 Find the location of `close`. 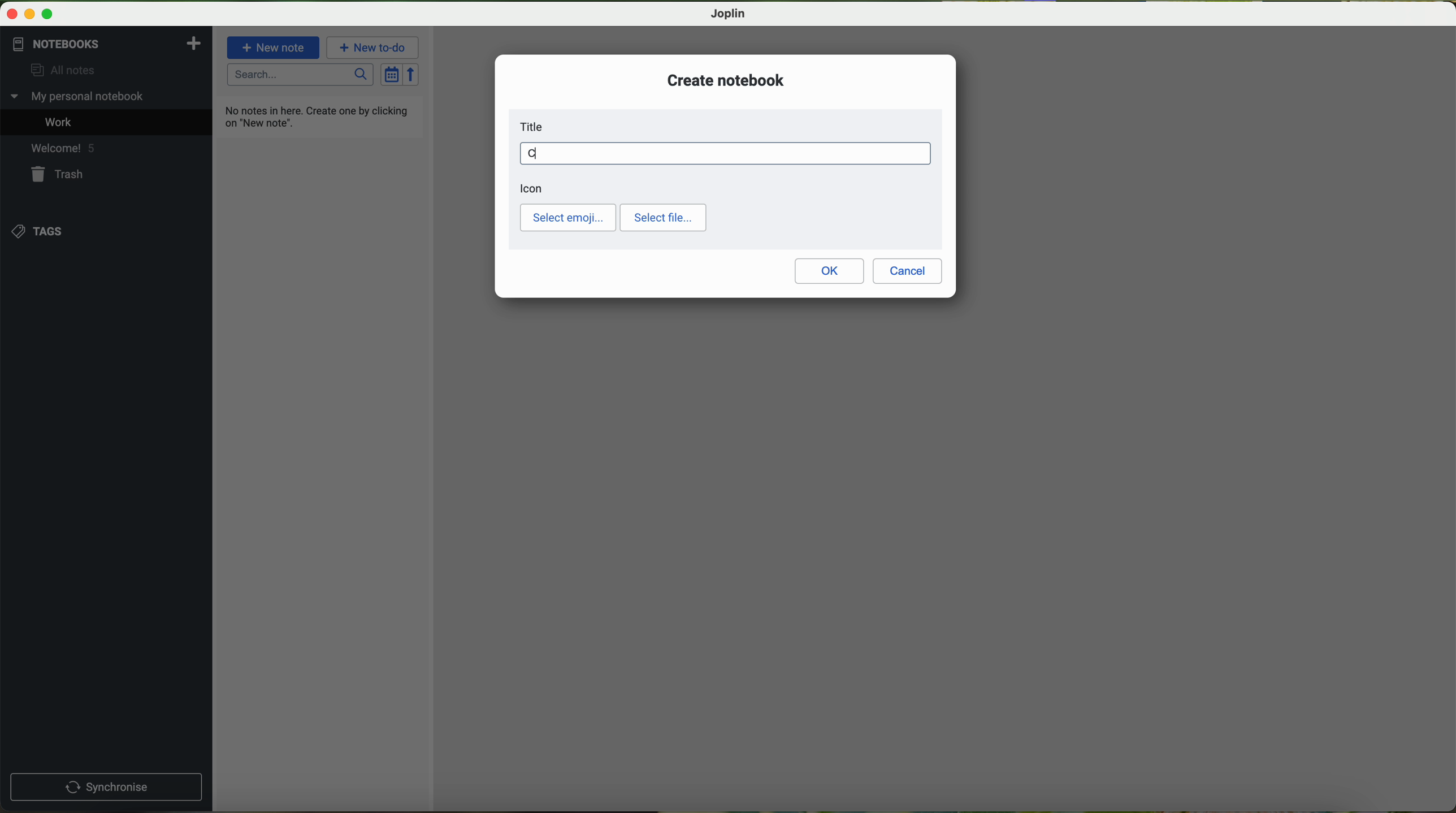

close is located at coordinates (13, 14).